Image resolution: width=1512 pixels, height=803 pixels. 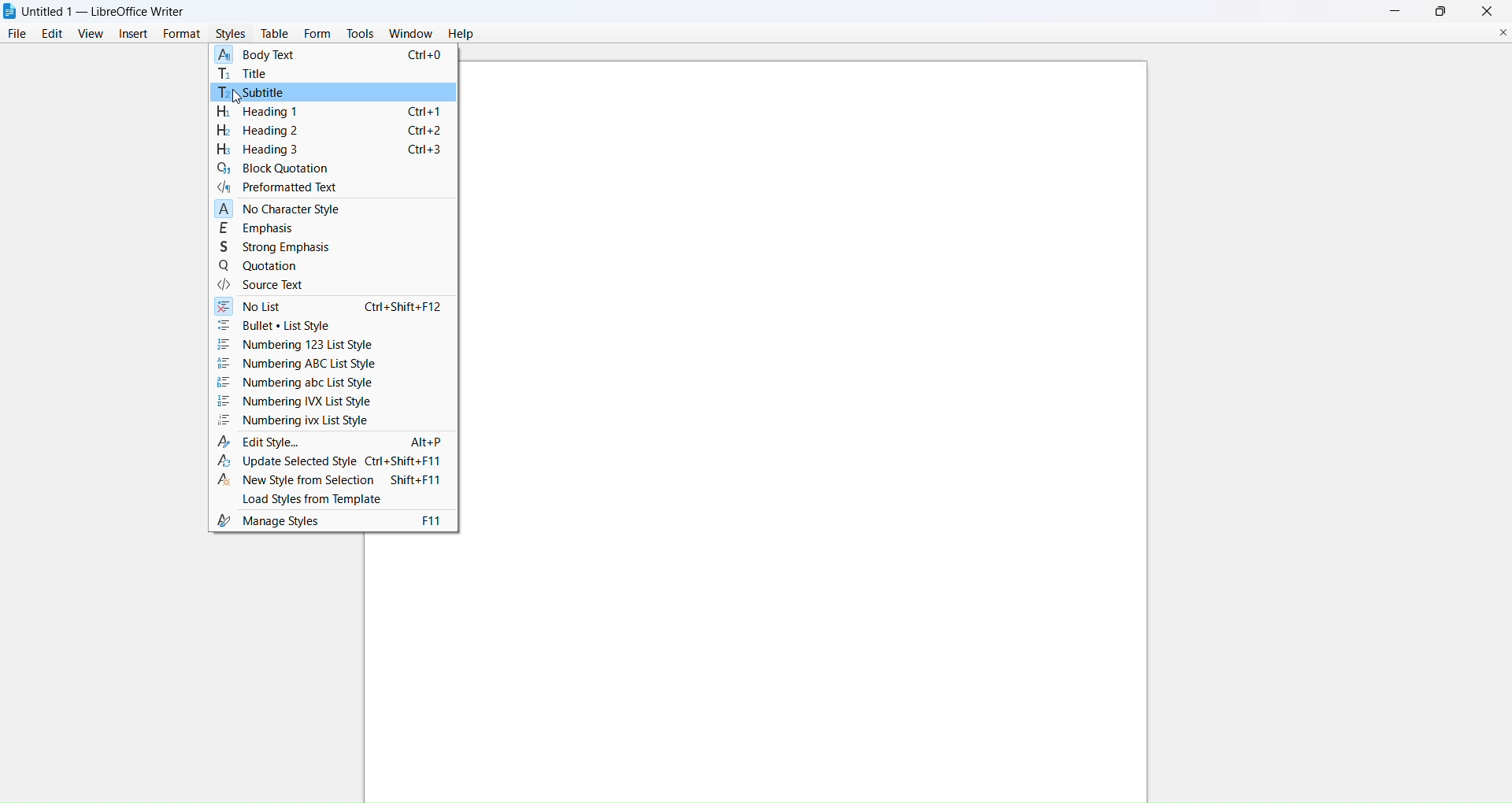 What do you see at coordinates (17, 33) in the screenshot?
I see `file` at bounding box center [17, 33].